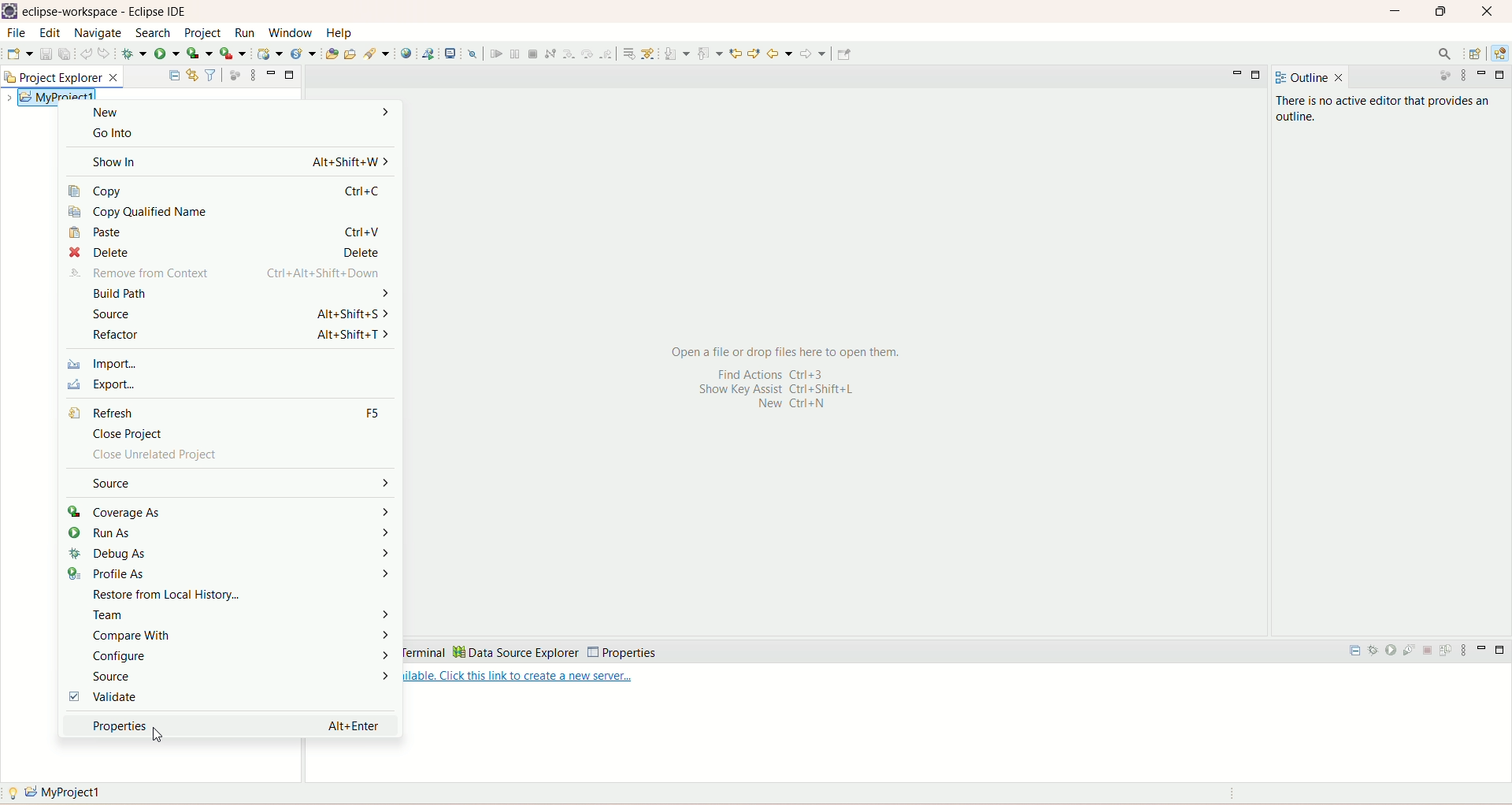  I want to click on refactor, so click(231, 336).